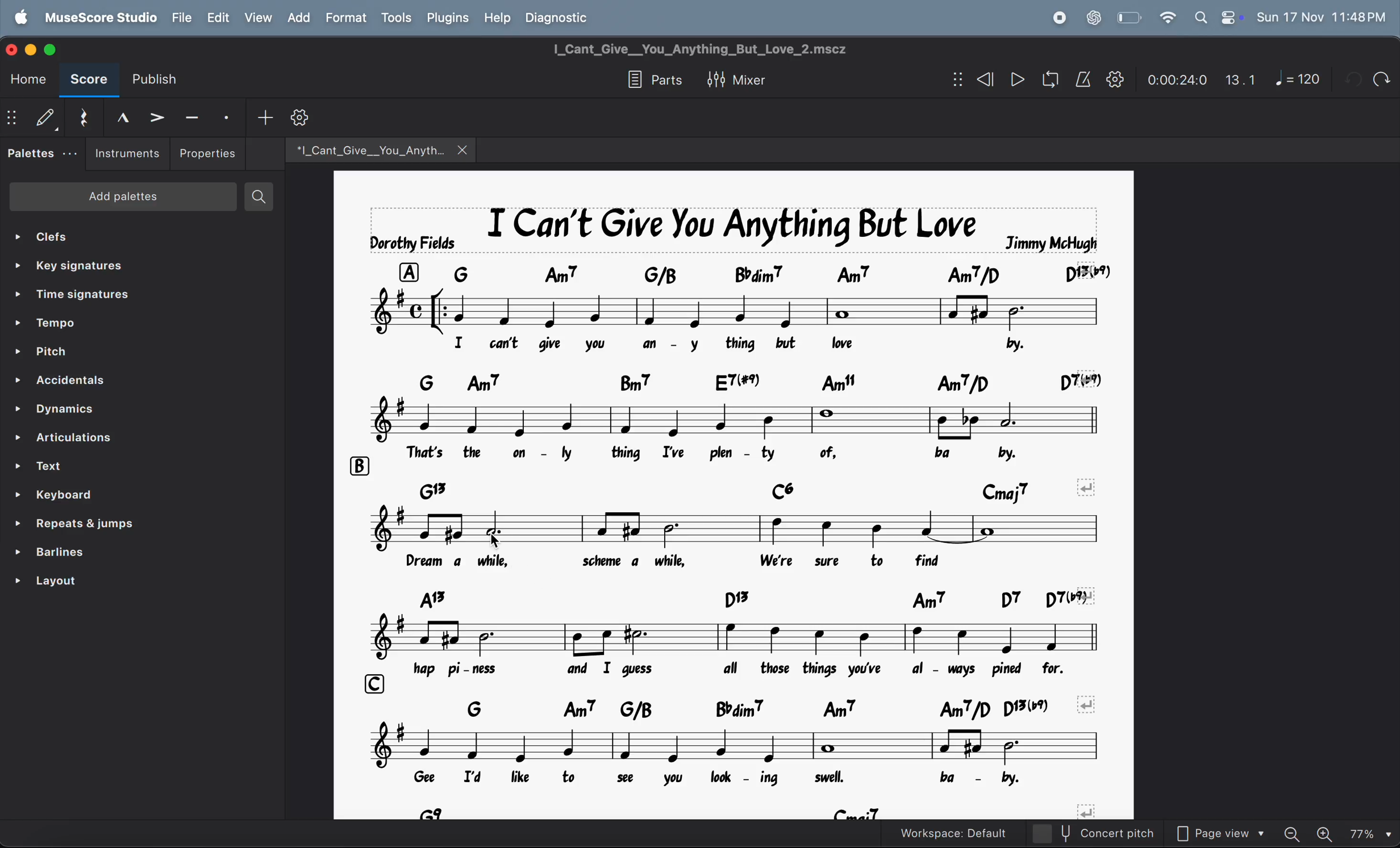  Describe the element at coordinates (447, 19) in the screenshot. I see `plugins` at that location.